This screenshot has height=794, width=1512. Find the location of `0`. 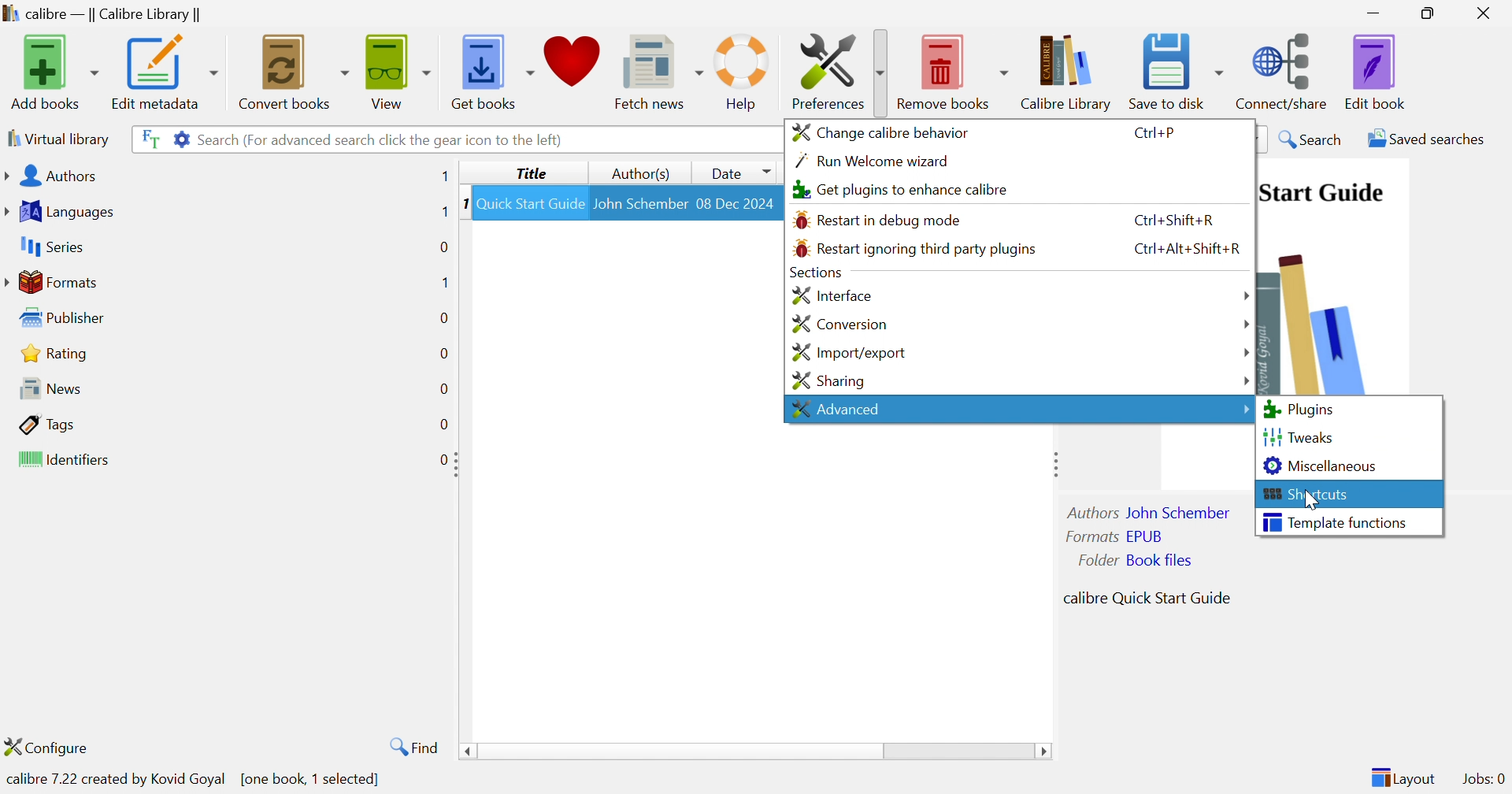

0 is located at coordinates (443, 389).